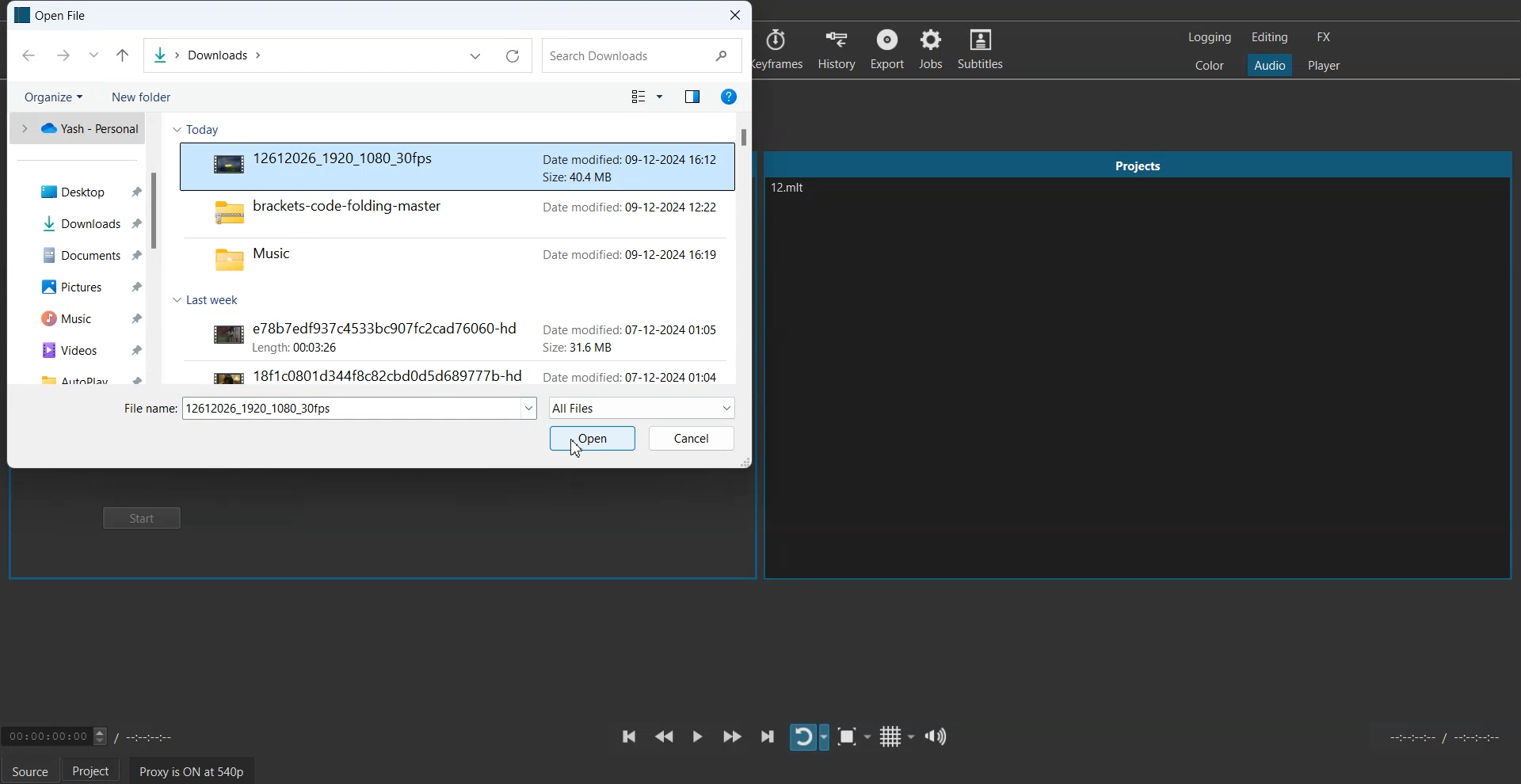 This screenshot has width=1521, height=784. I want to click on Player, so click(1324, 66).